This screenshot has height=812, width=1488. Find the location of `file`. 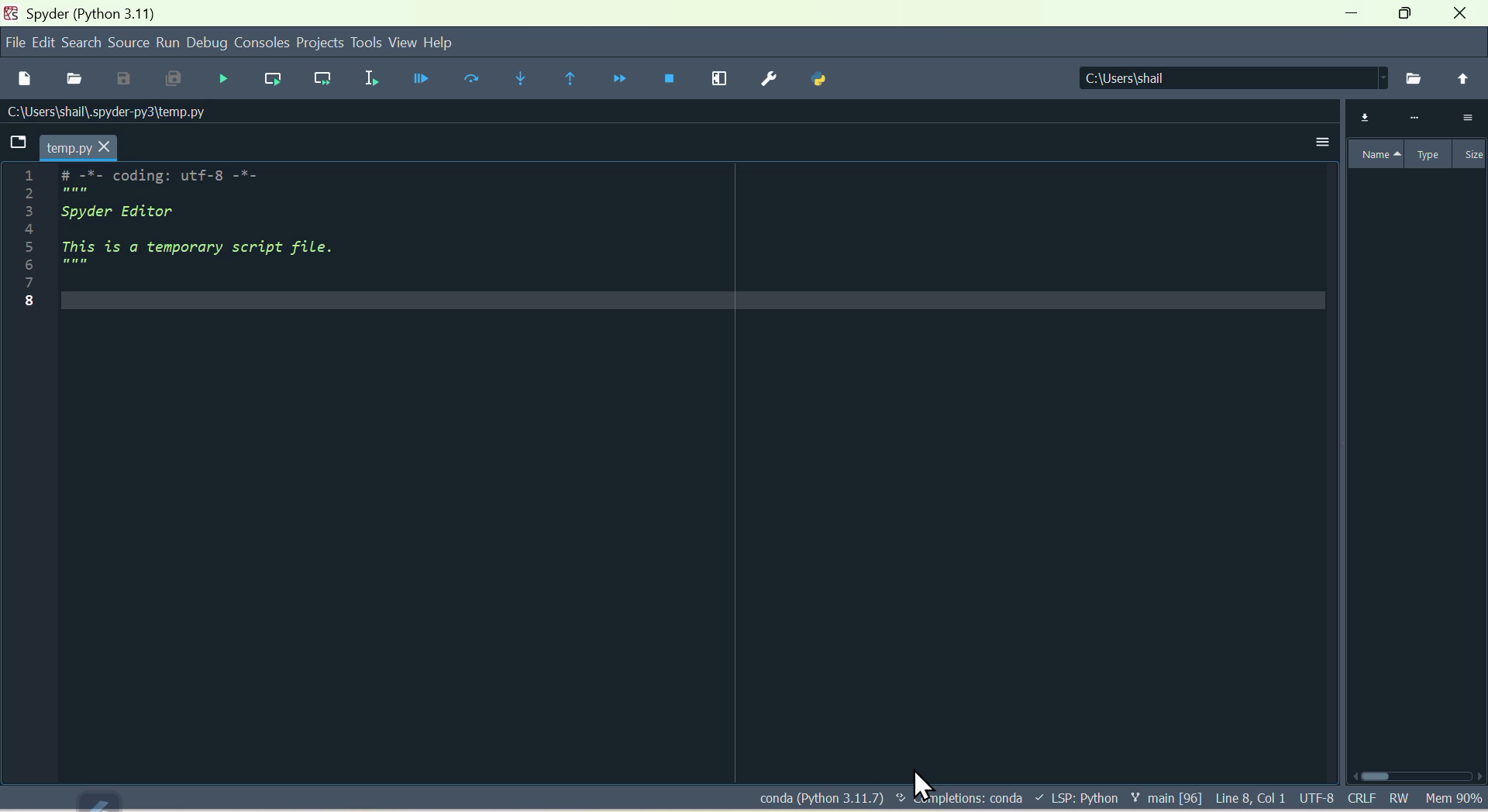

file is located at coordinates (15, 40).